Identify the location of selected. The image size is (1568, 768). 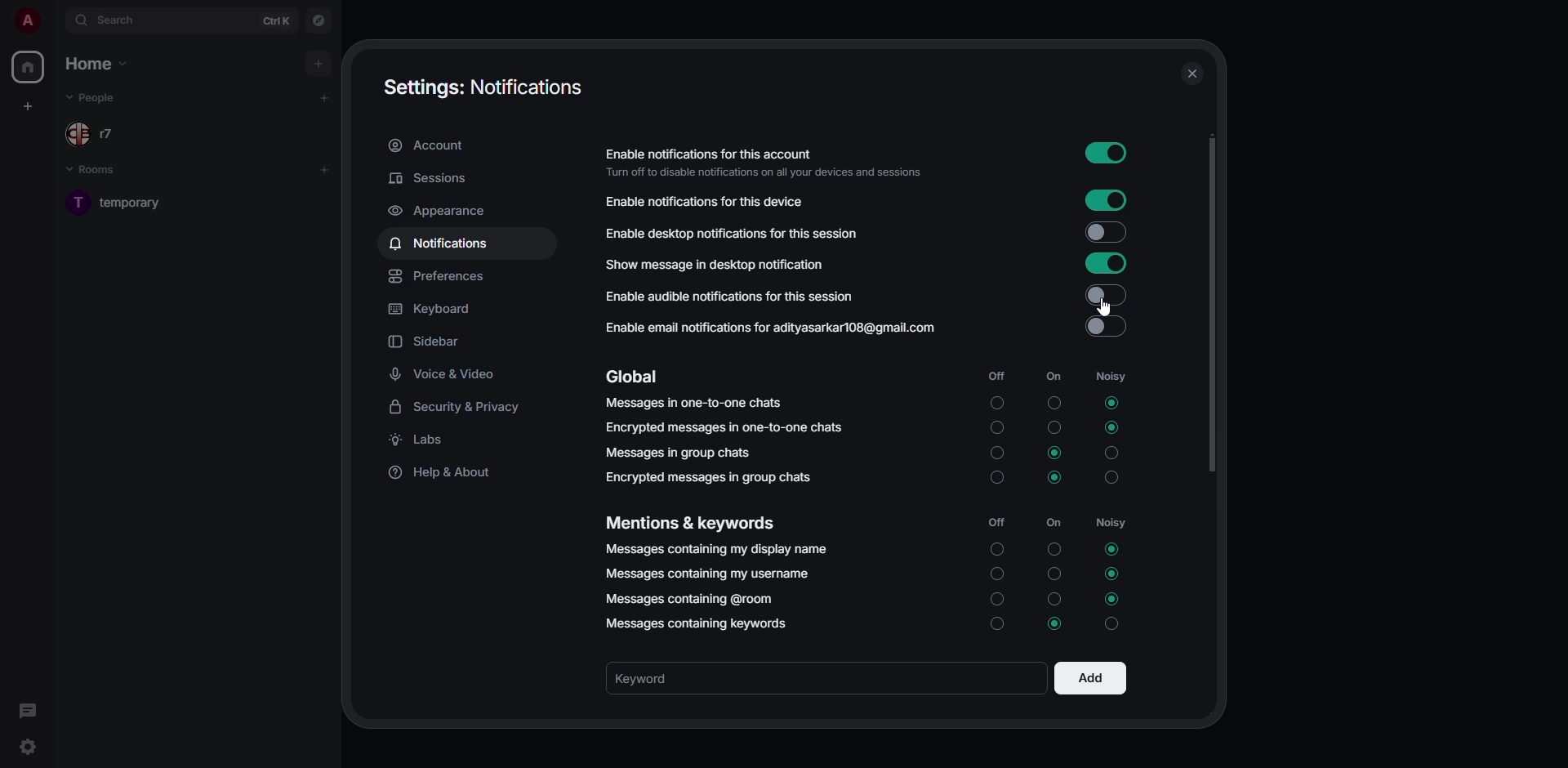
(1111, 404).